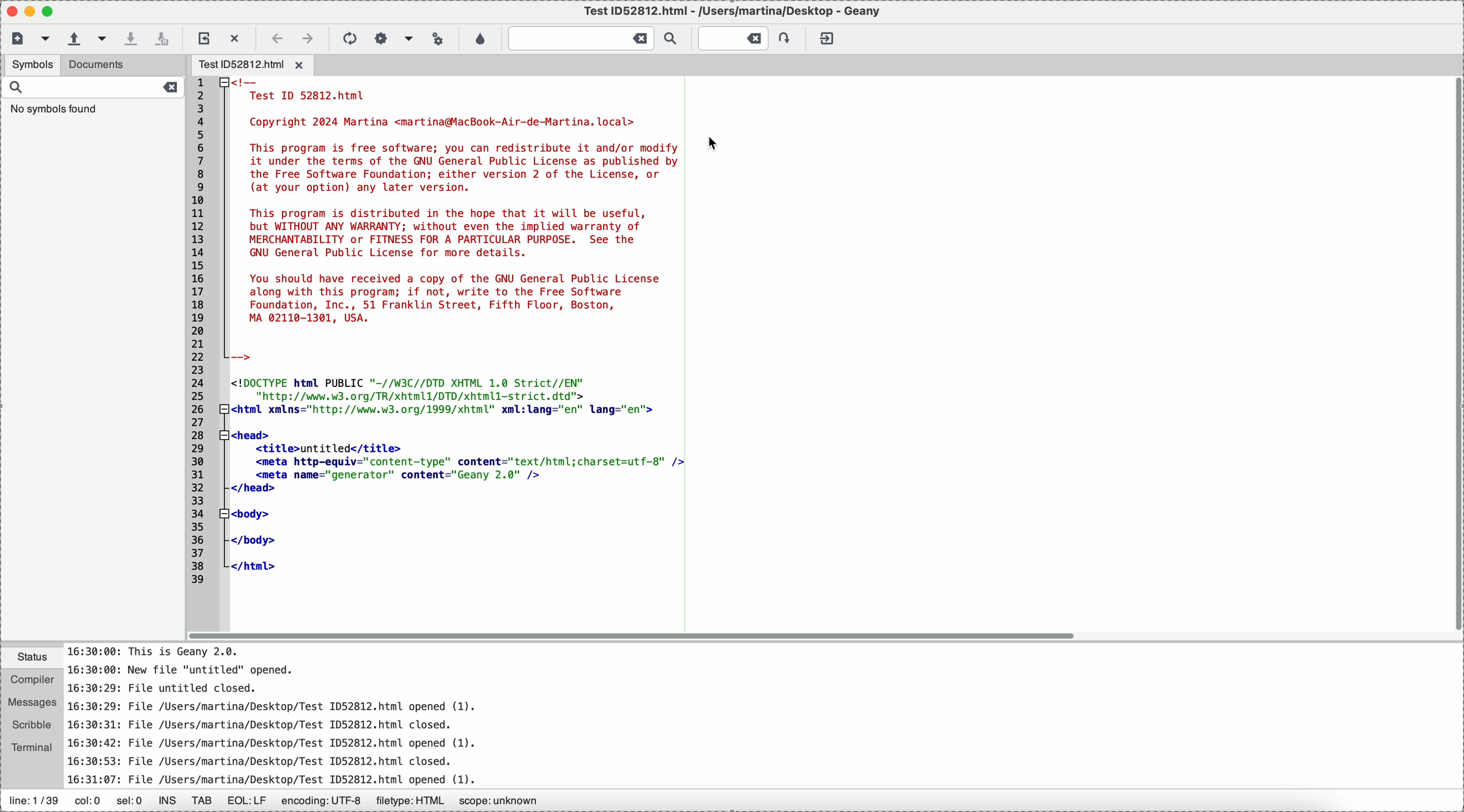 The image size is (1464, 812). I want to click on 16:30:00 This is Geany 2.0. 16:30:00 New file "untitled" open. 16:30:29 file untitled closed, so click(328, 714).